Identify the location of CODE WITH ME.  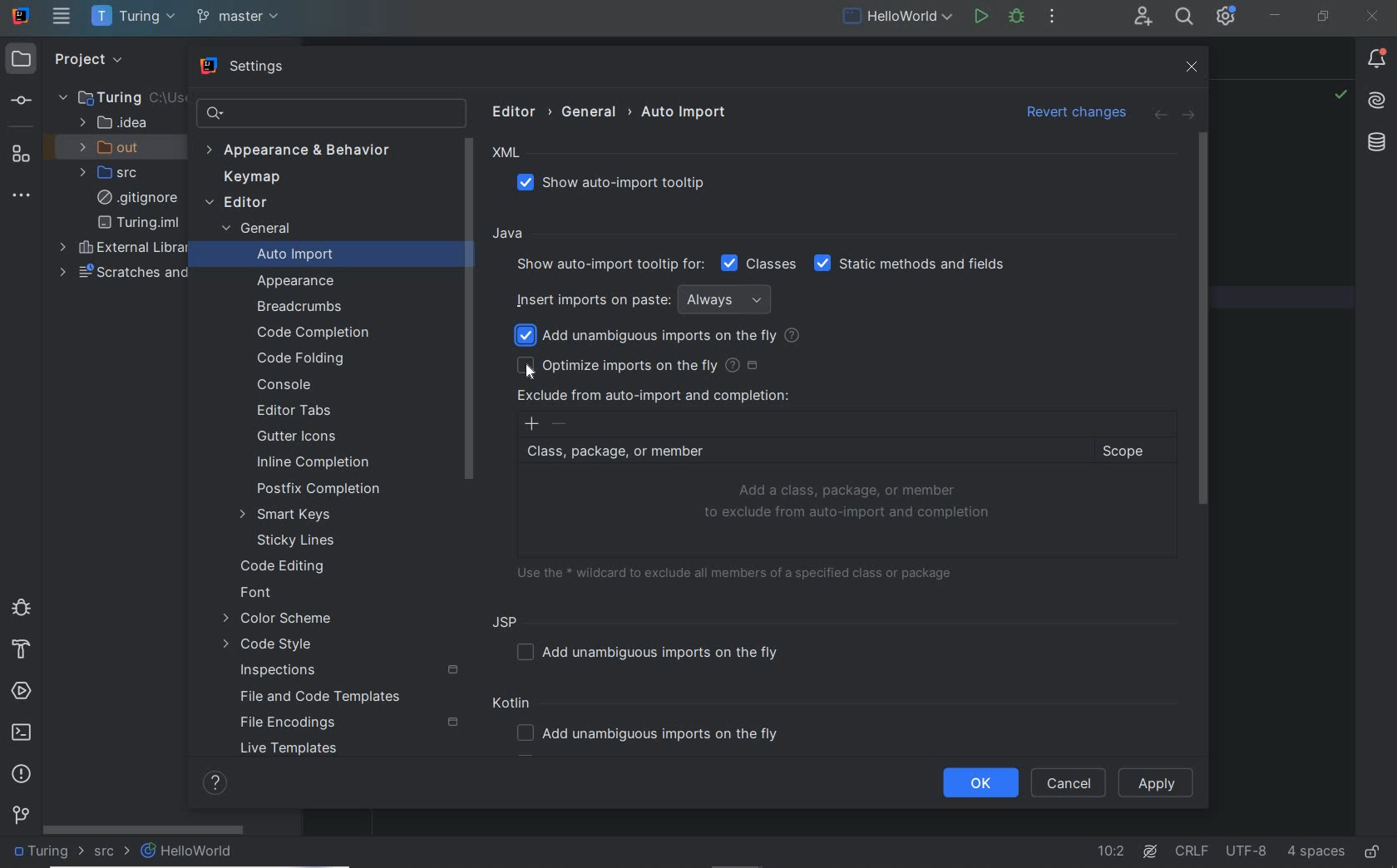
(1142, 17).